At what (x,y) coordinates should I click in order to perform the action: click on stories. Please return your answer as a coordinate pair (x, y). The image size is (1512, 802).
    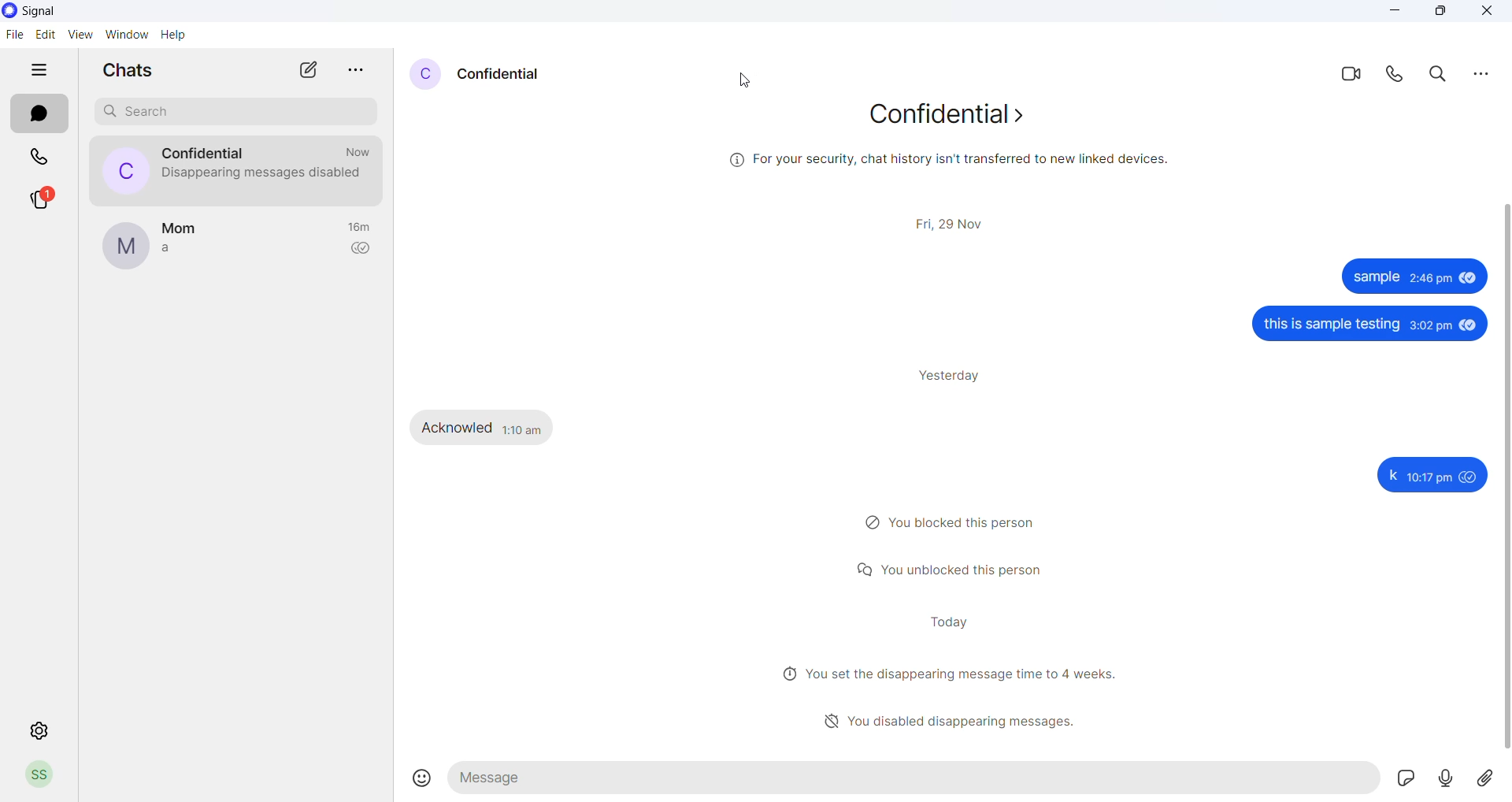
    Looking at the image, I should click on (41, 199).